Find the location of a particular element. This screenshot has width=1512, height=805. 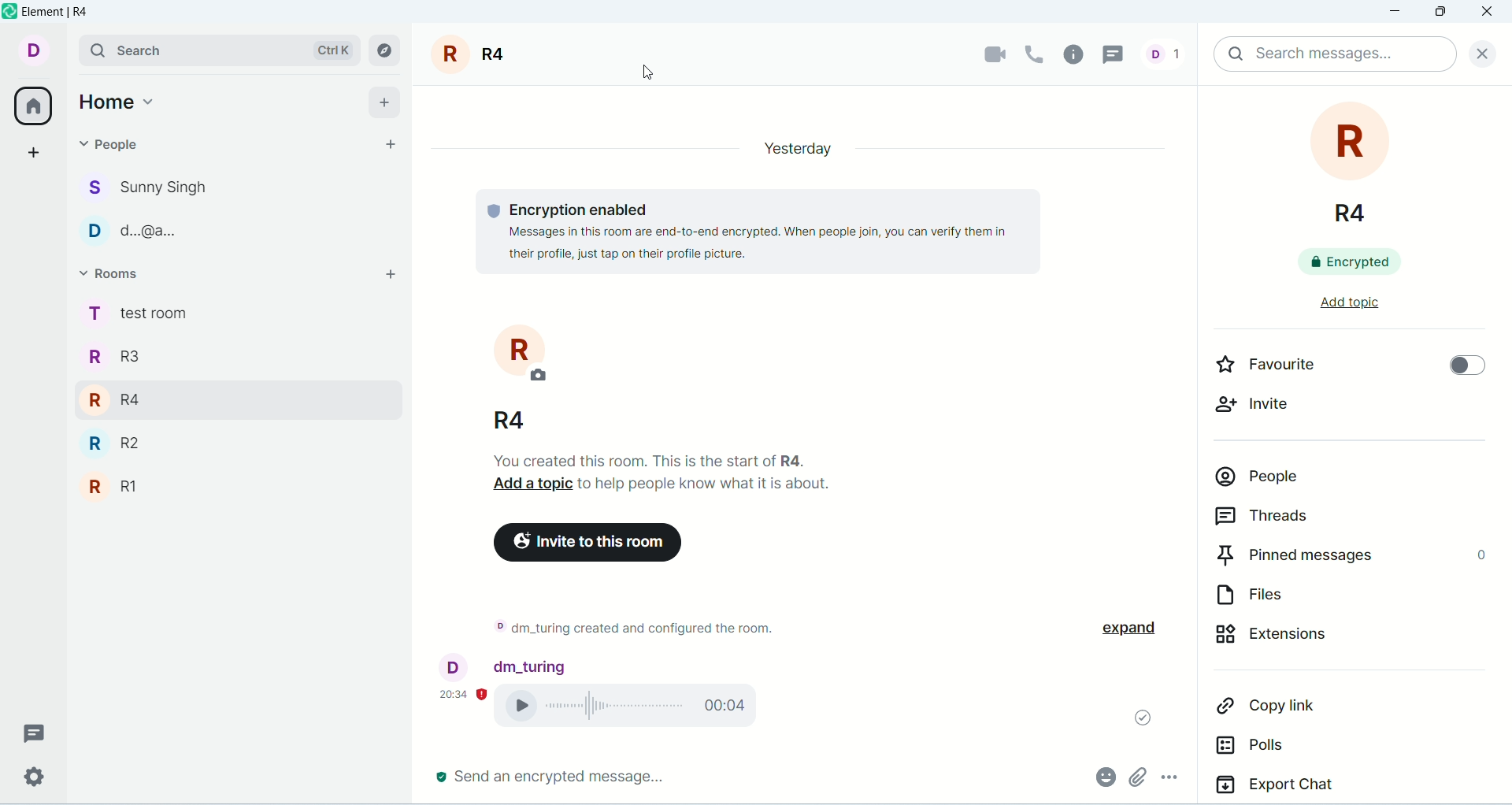

favourite is located at coordinates (1287, 369).